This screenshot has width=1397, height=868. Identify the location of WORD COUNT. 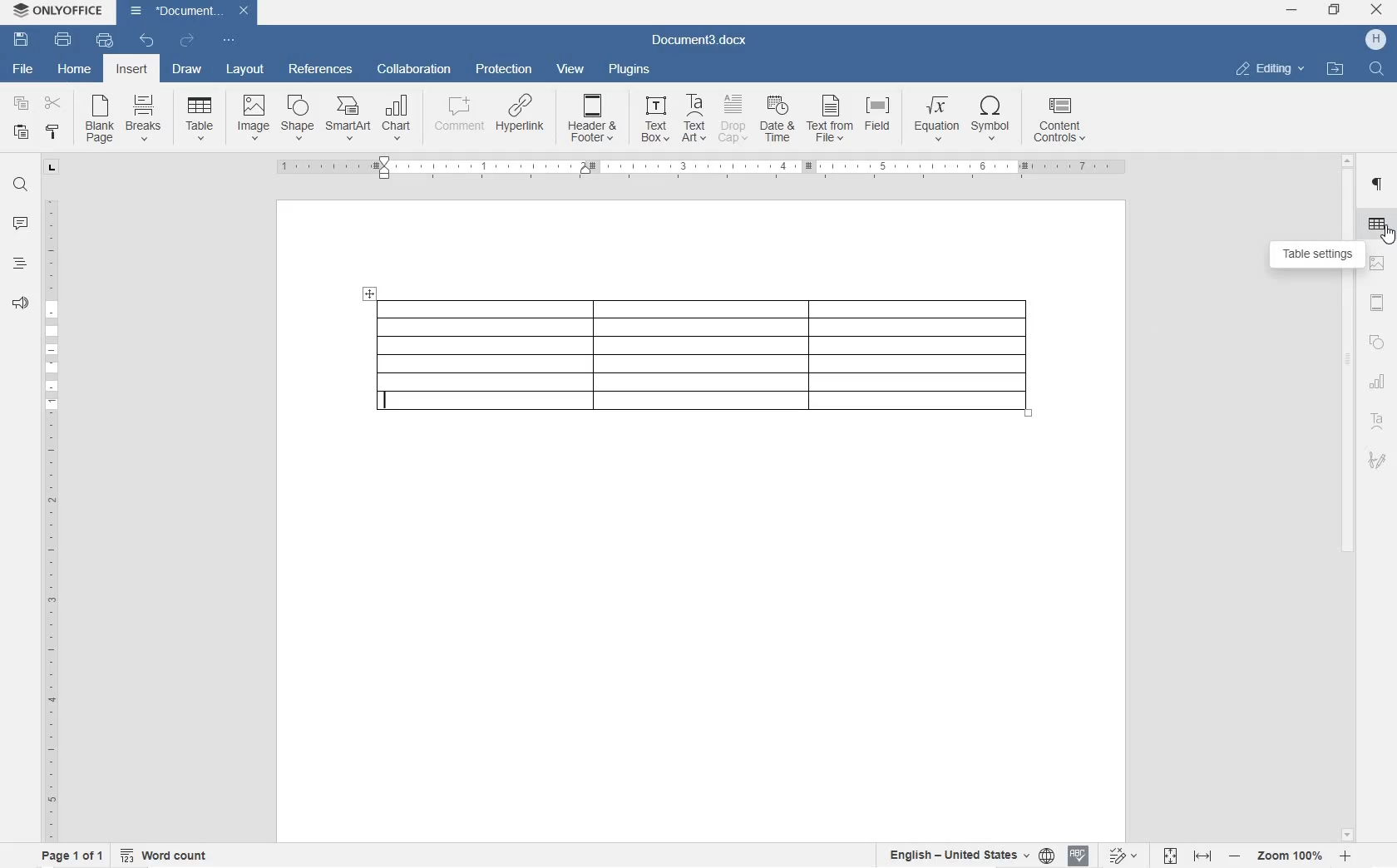
(164, 853).